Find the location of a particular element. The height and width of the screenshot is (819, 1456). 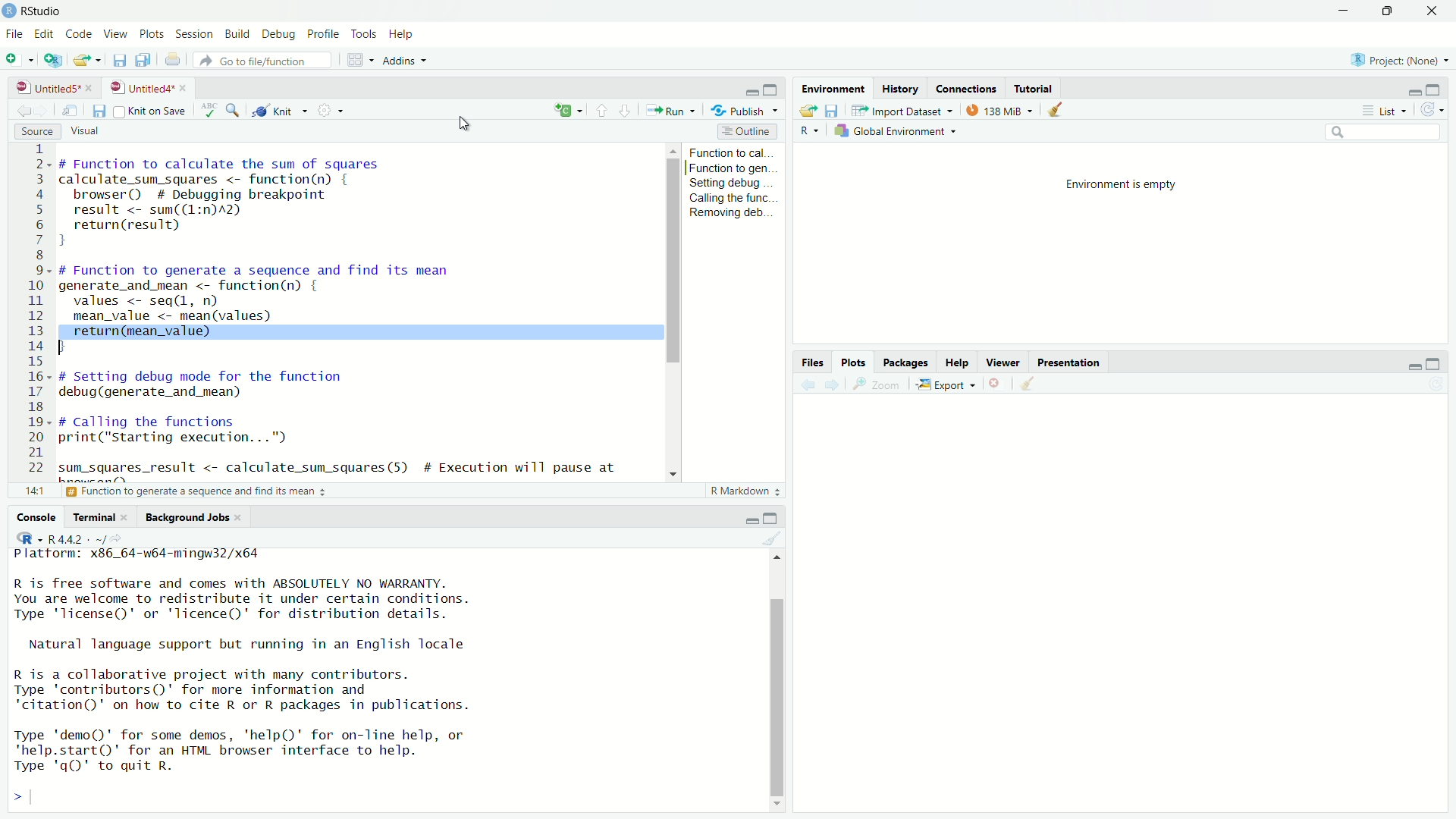

Natural language support but running in an English locale is located at coordinates (244, 643).